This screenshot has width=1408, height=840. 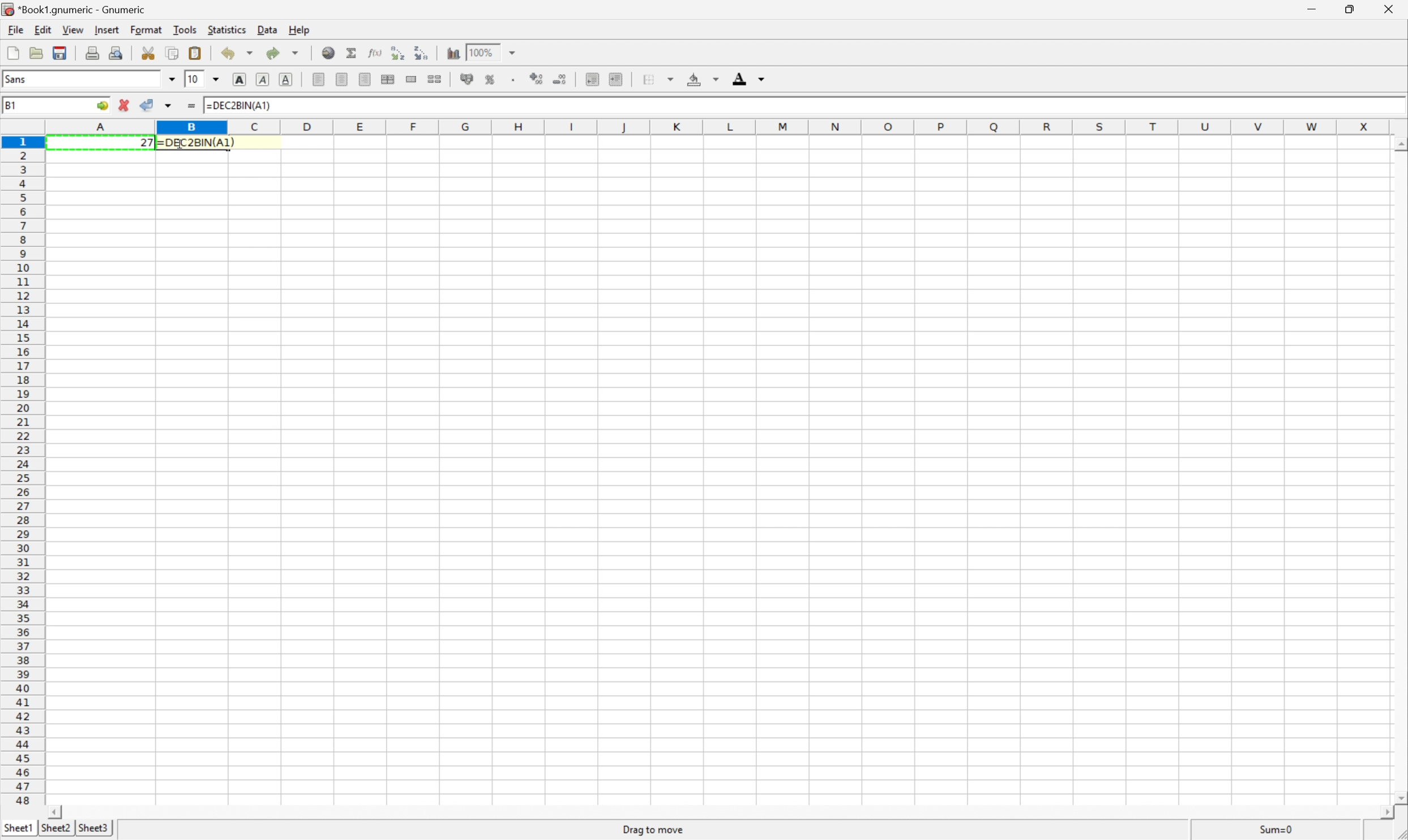 What do you see at coordinates (19, 828) in the screenshot?
I see `Sheet1` at bounding box center [19, 828].